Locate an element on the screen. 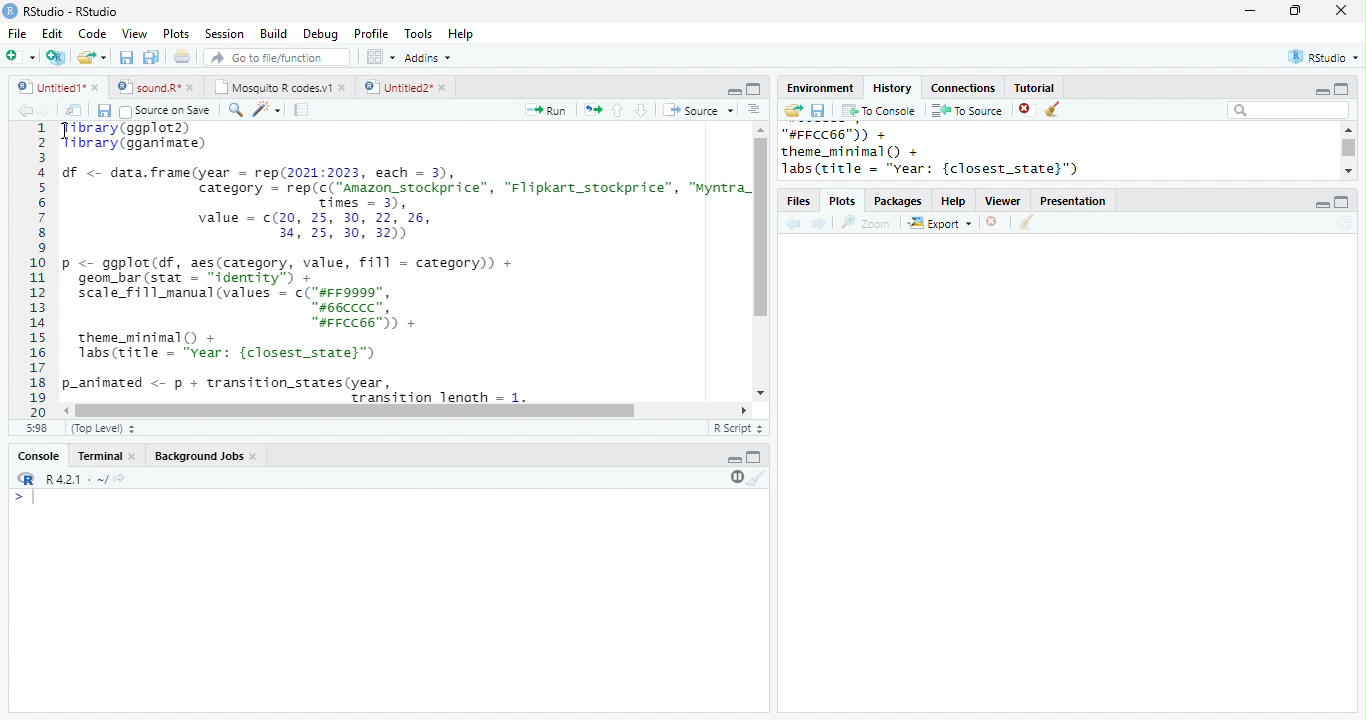  Tutorial is located at coordinates (1035, 88).